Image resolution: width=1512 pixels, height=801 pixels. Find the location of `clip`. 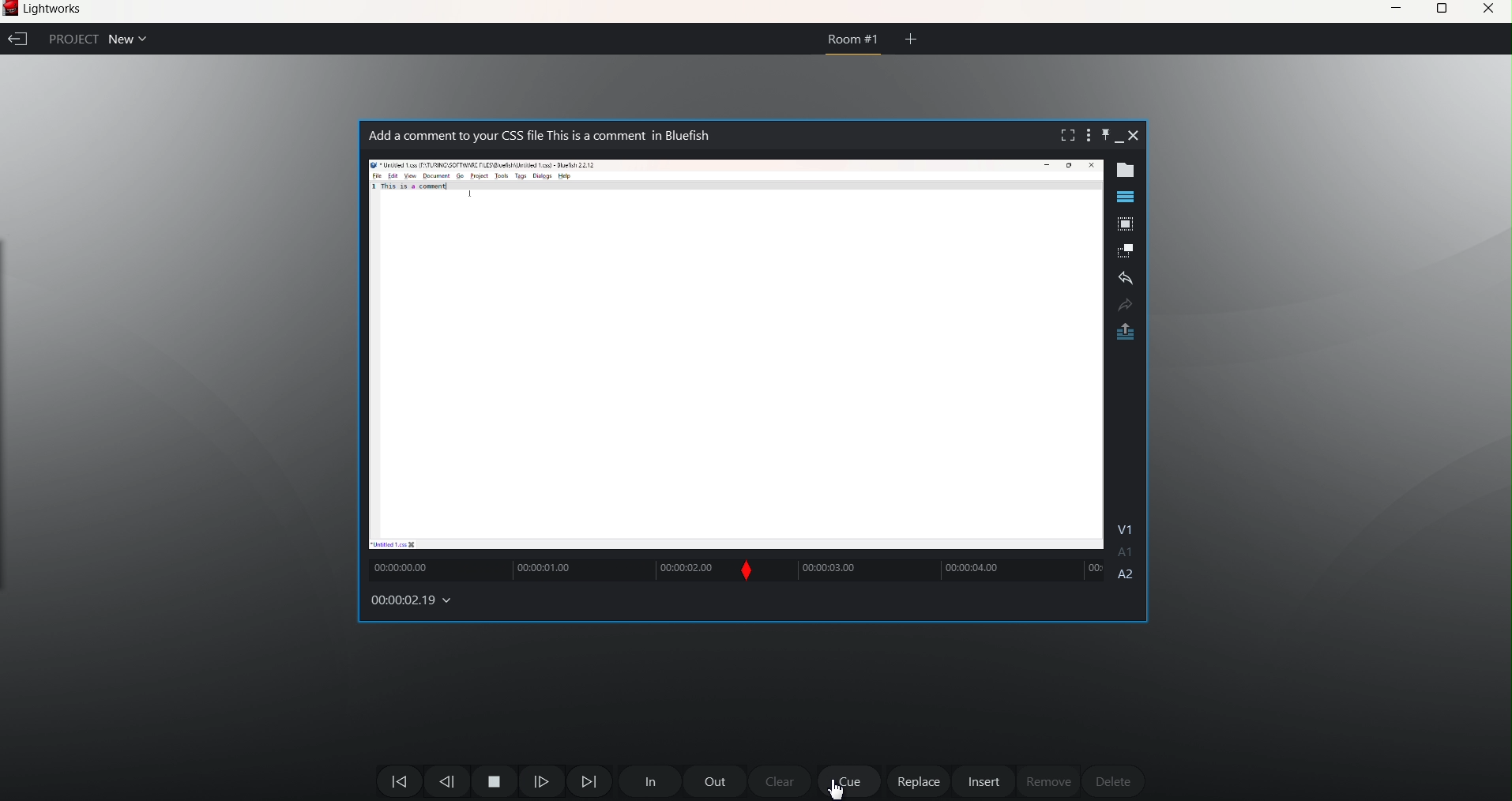

clip is located at coordinates (735, 354).